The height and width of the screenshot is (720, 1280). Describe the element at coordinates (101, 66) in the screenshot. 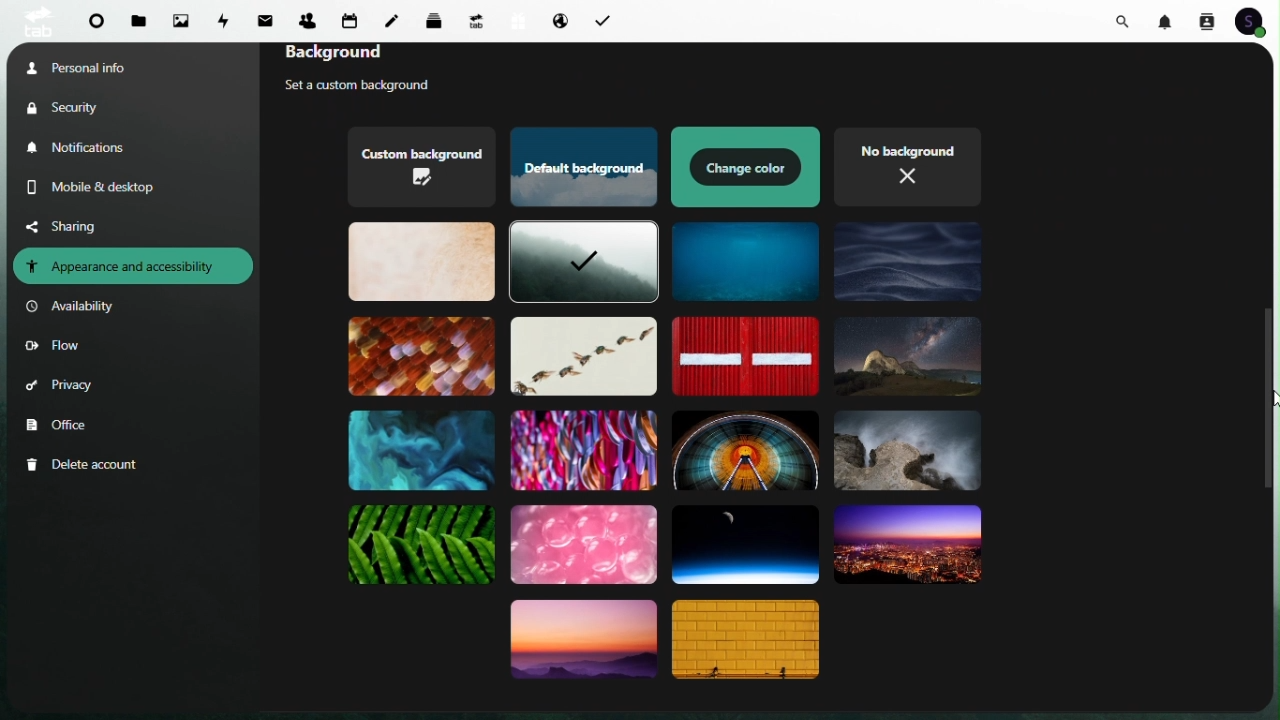

I see `personal info` at that location.